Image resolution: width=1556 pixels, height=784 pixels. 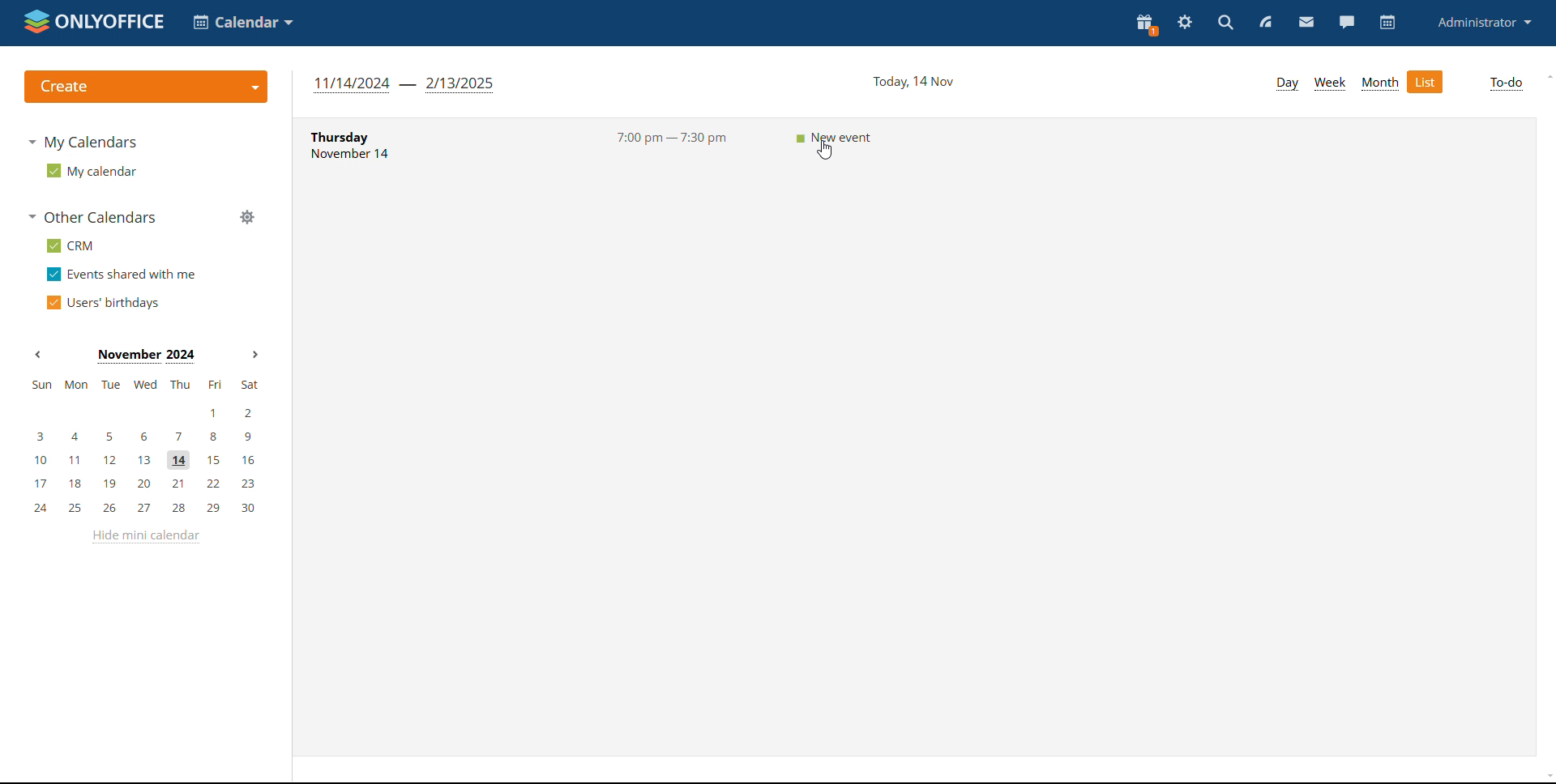 I want to click on search, so click(x=1224, y=23).